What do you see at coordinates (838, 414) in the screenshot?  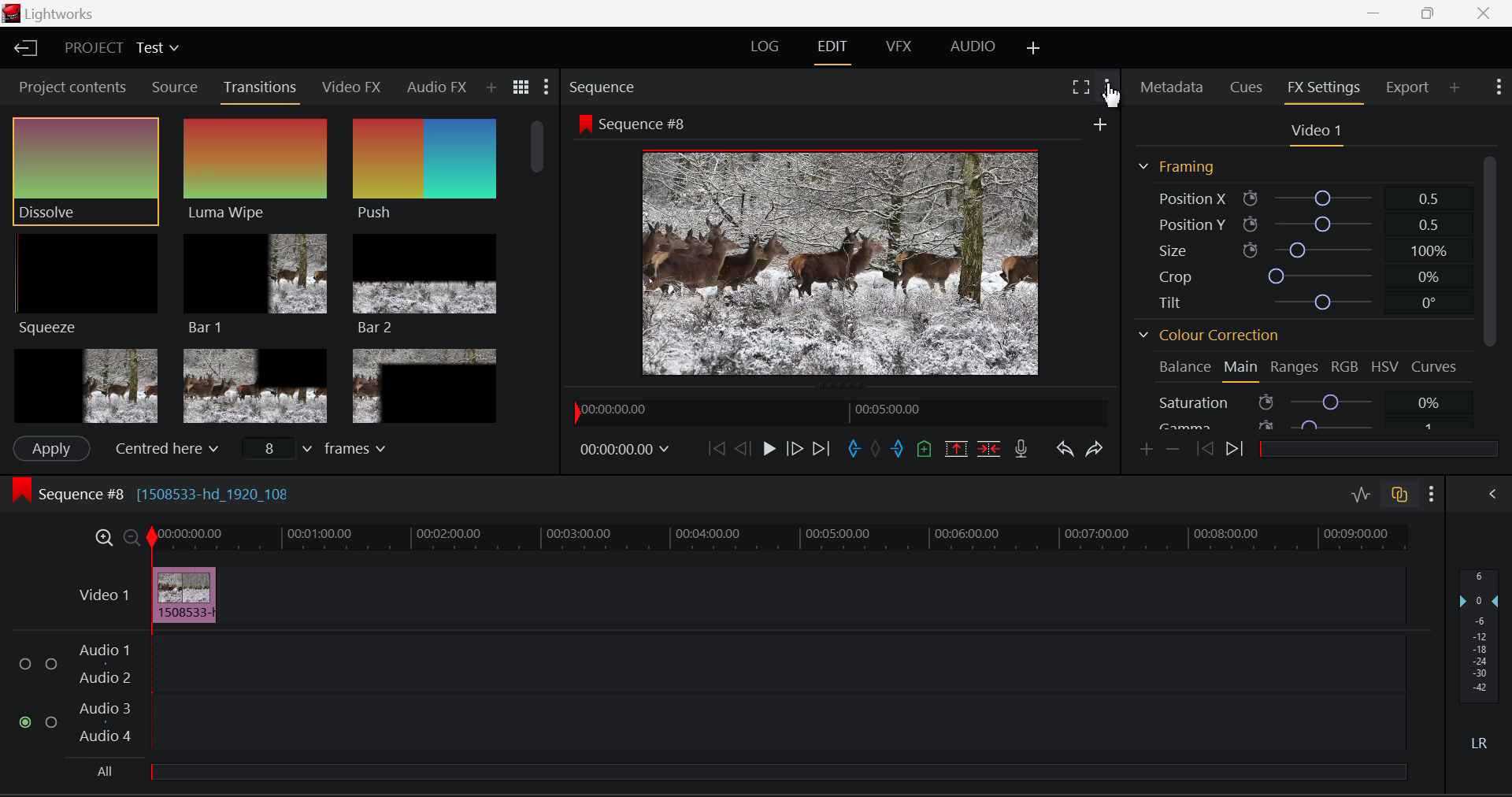 I see `Project Timeline Navigator` at bounding box center [838, 414].